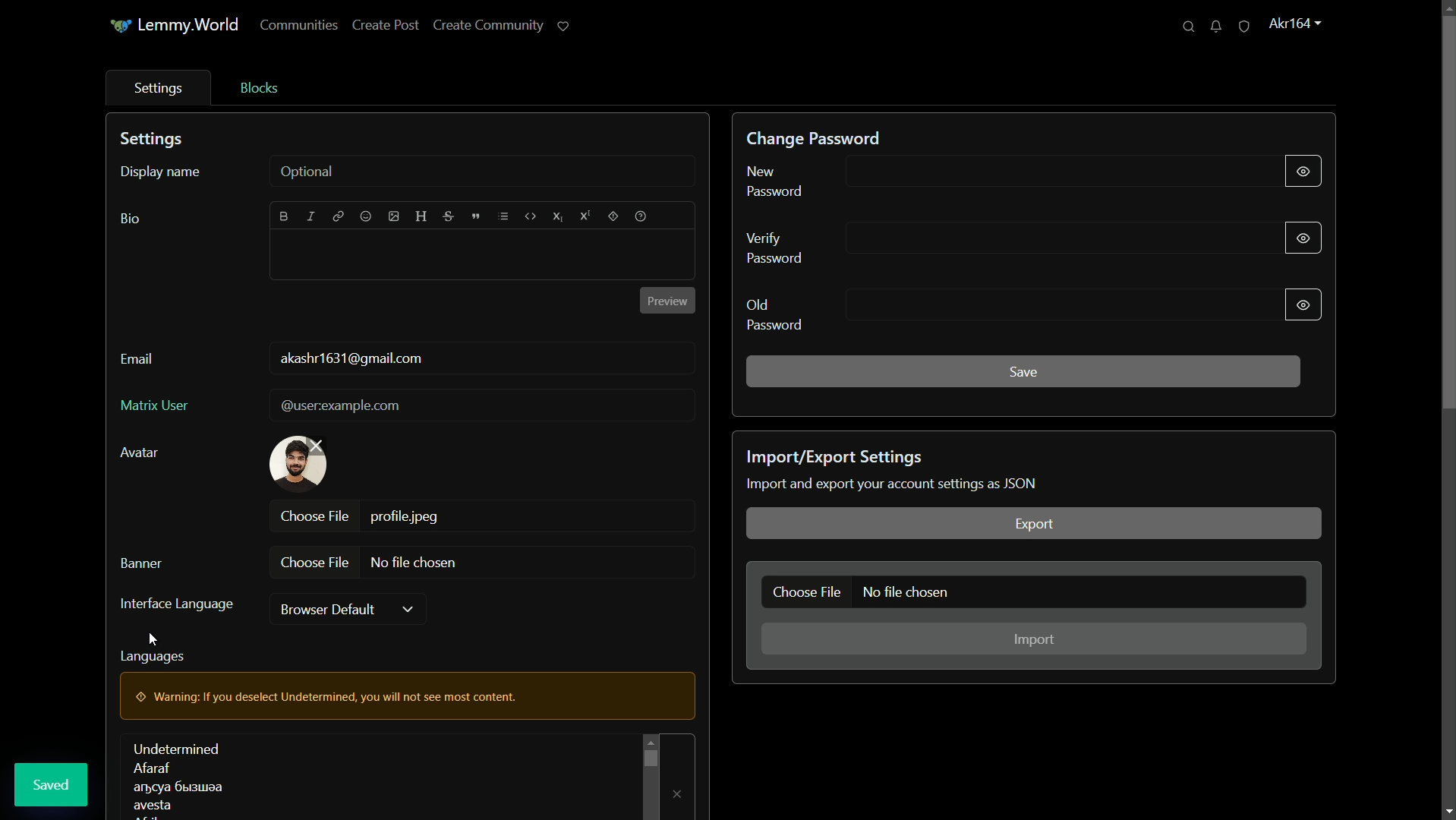  Describe the element at coordinates (1035, 640) in the screenshot. I see `import` at that location.